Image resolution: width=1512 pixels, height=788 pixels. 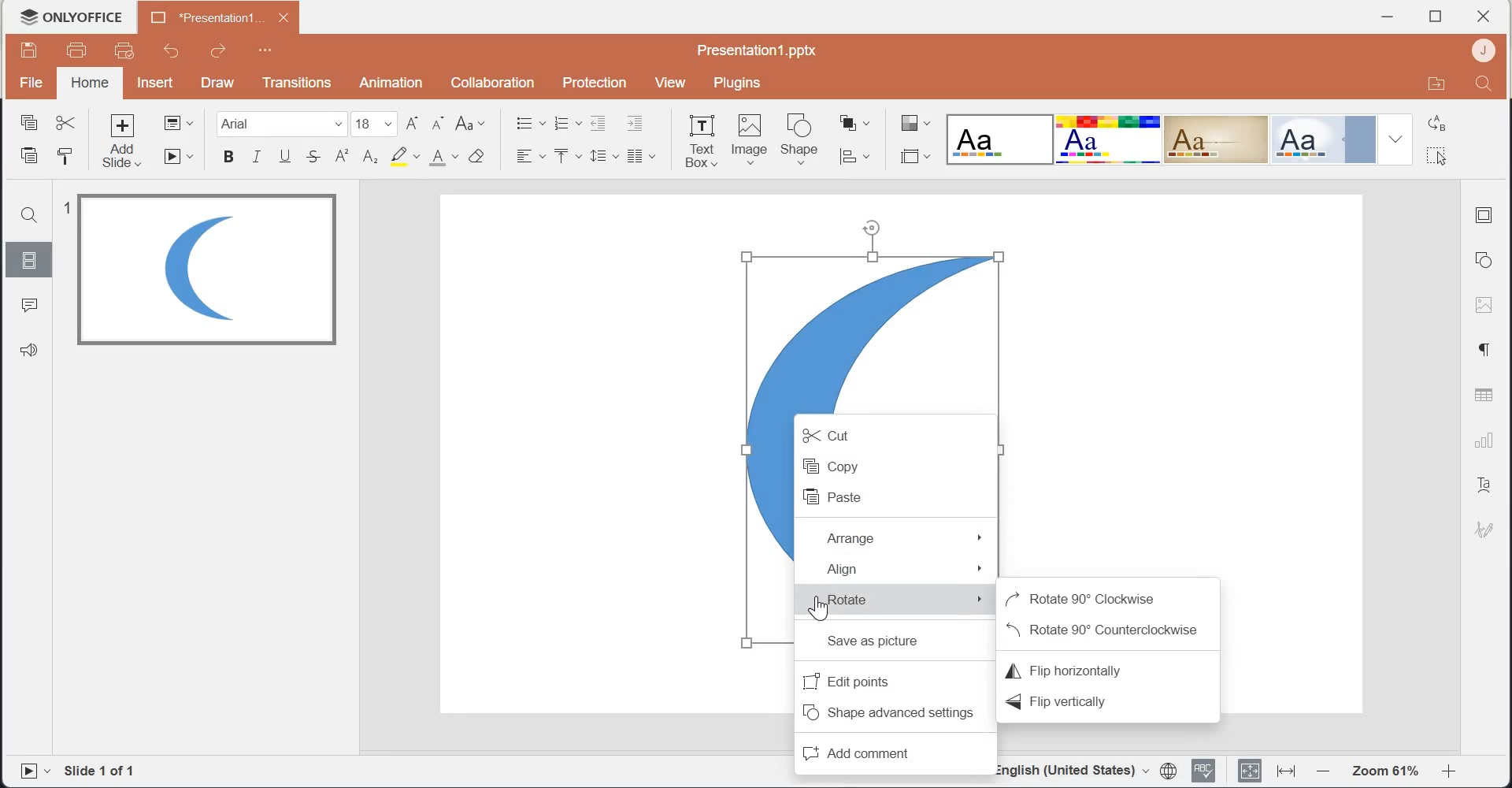 I want to click on Signature, so click(x=1484, y=528).